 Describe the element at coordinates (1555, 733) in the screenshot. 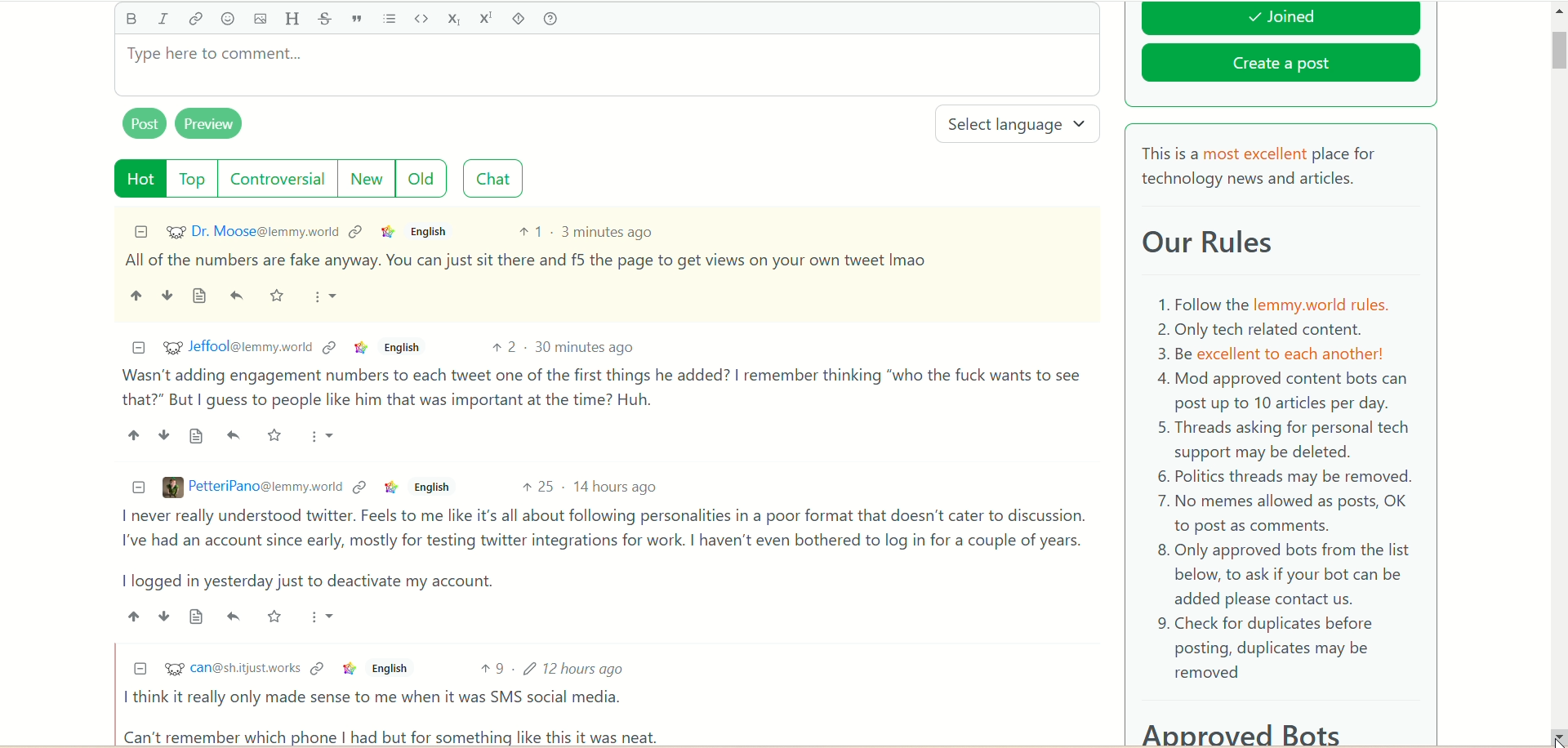

I see `cursor` at that location.